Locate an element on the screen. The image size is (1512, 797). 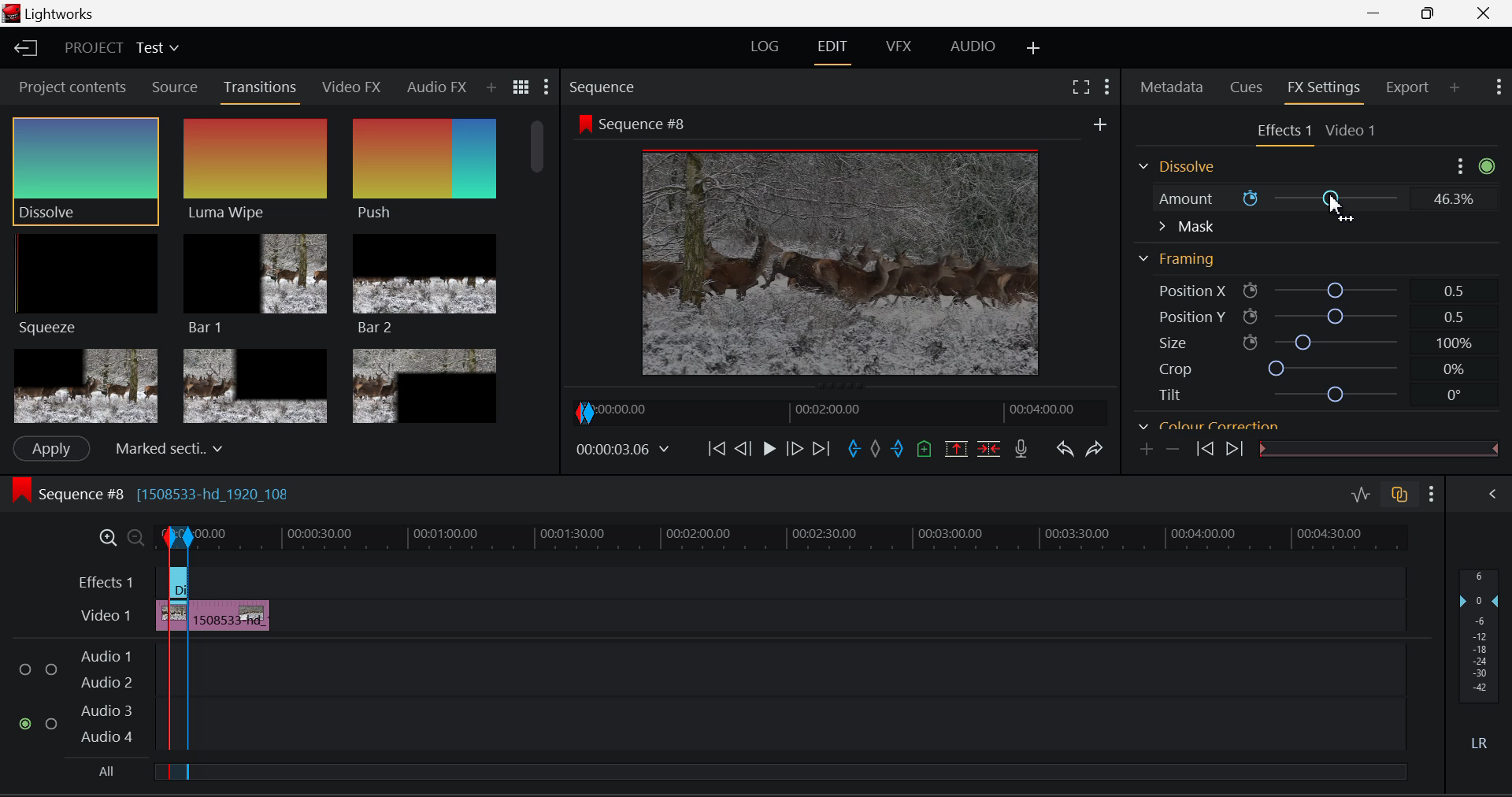
Squeeze is located at coordinates (89, 287).